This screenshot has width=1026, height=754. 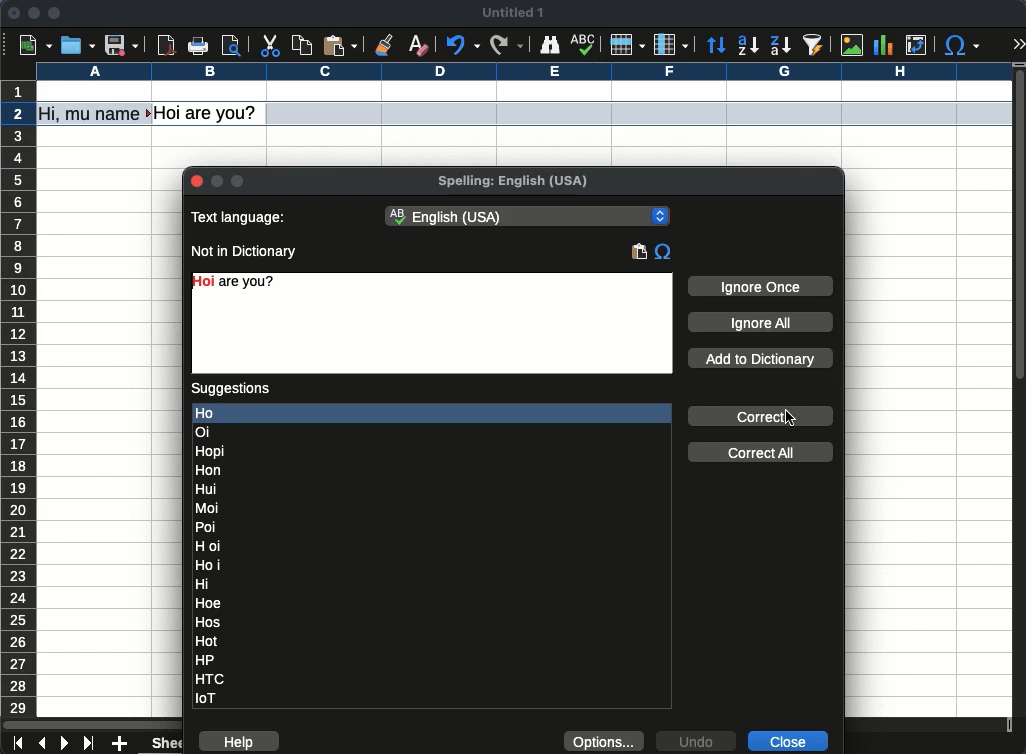 What do you see at coordinates (204, 583) in the screenshot?
I see `Hi` at bounding box center [204, 583].